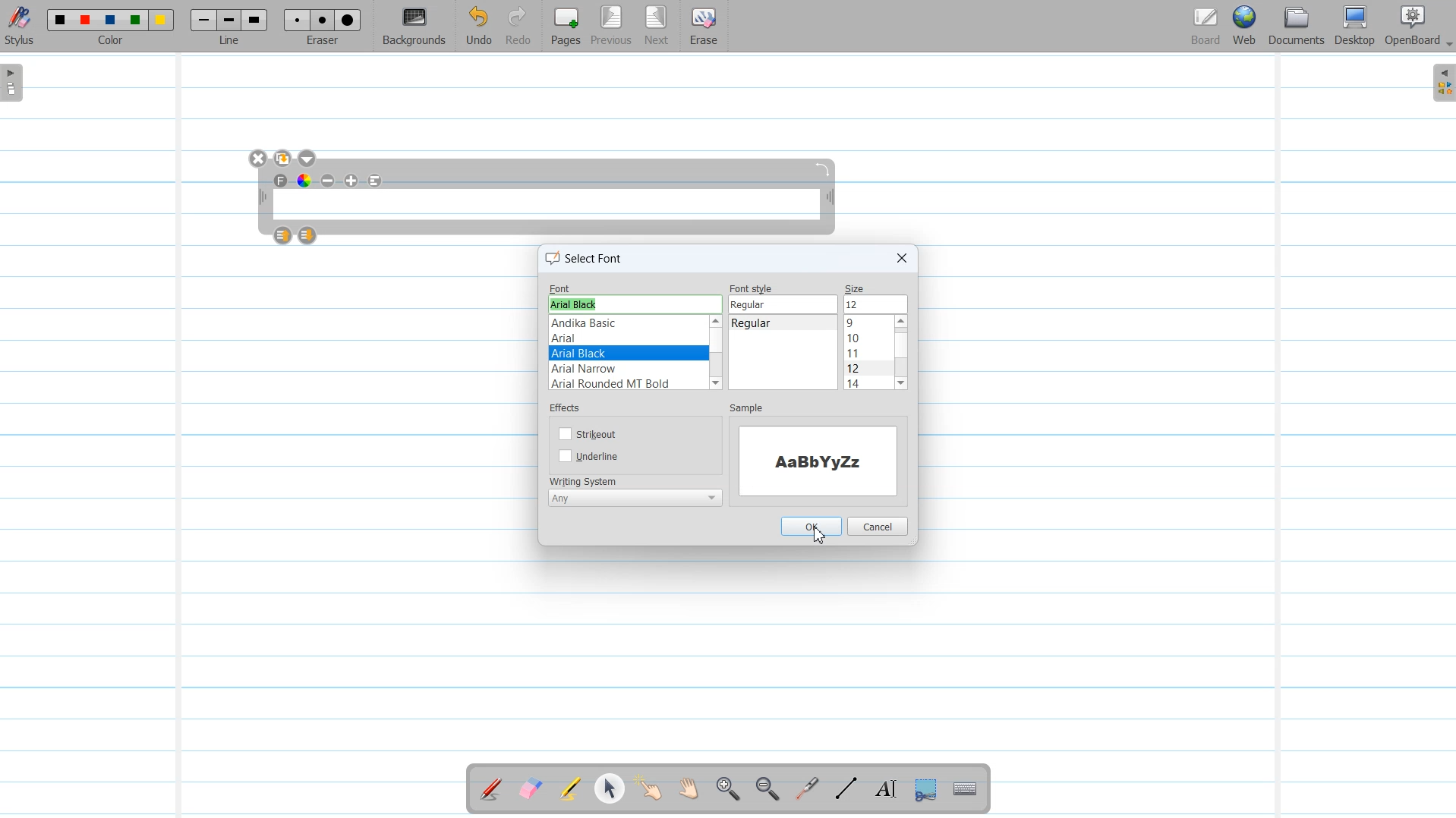 The image size is (1456, 818). I want to click on Align to left text, so click(376, 181).